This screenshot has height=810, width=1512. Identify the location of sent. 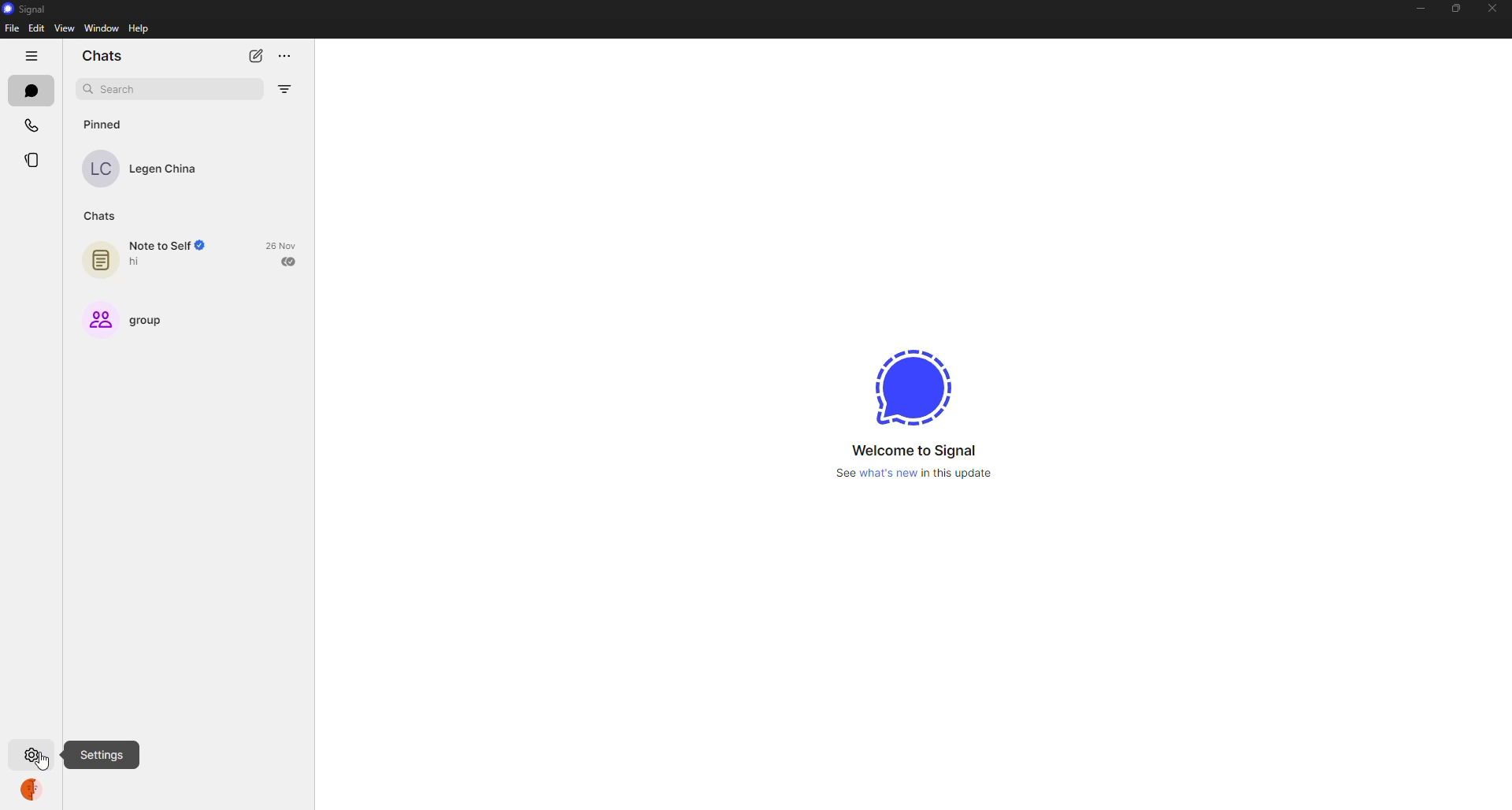
(290, 261).